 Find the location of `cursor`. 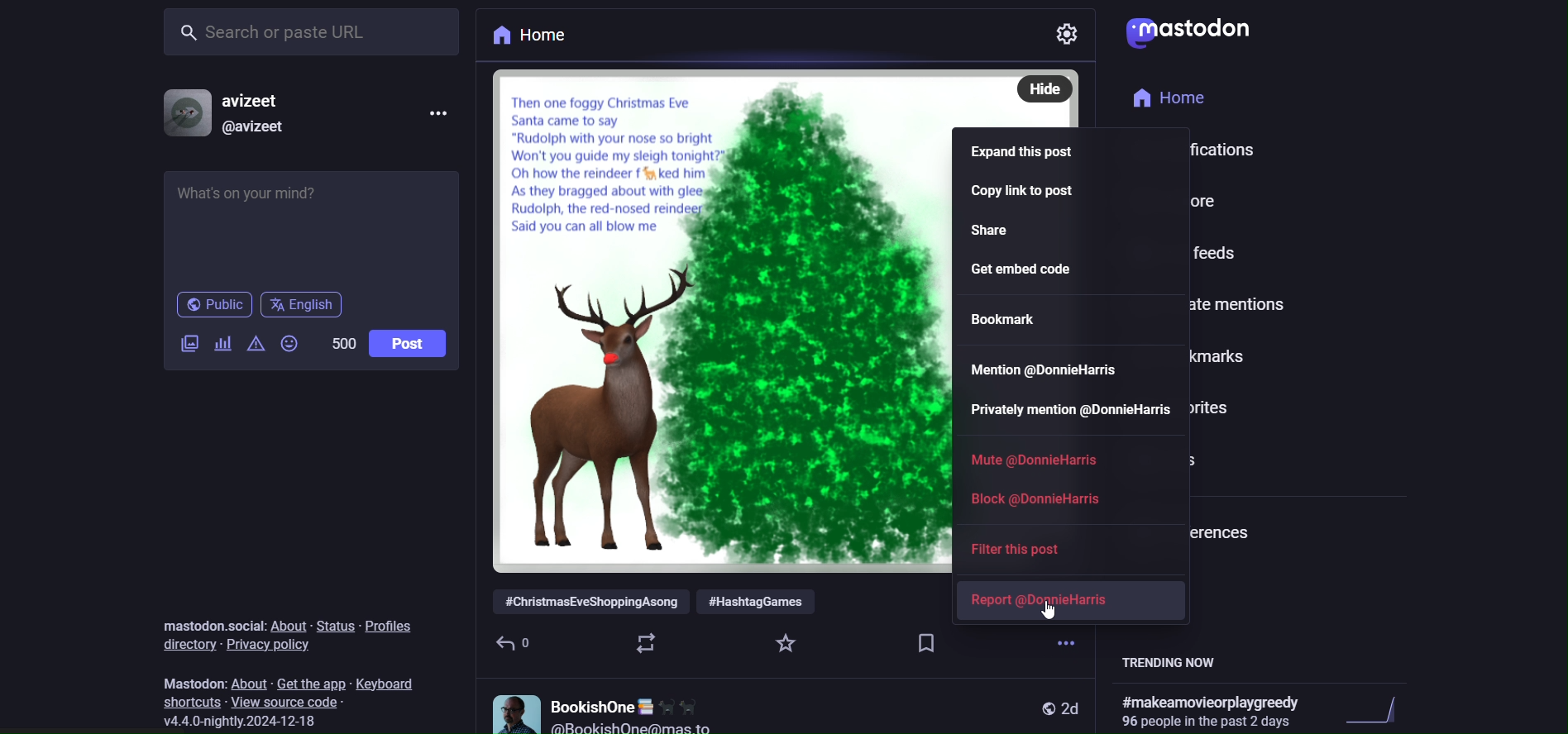

cursor is located at coordinates (1040, 617).